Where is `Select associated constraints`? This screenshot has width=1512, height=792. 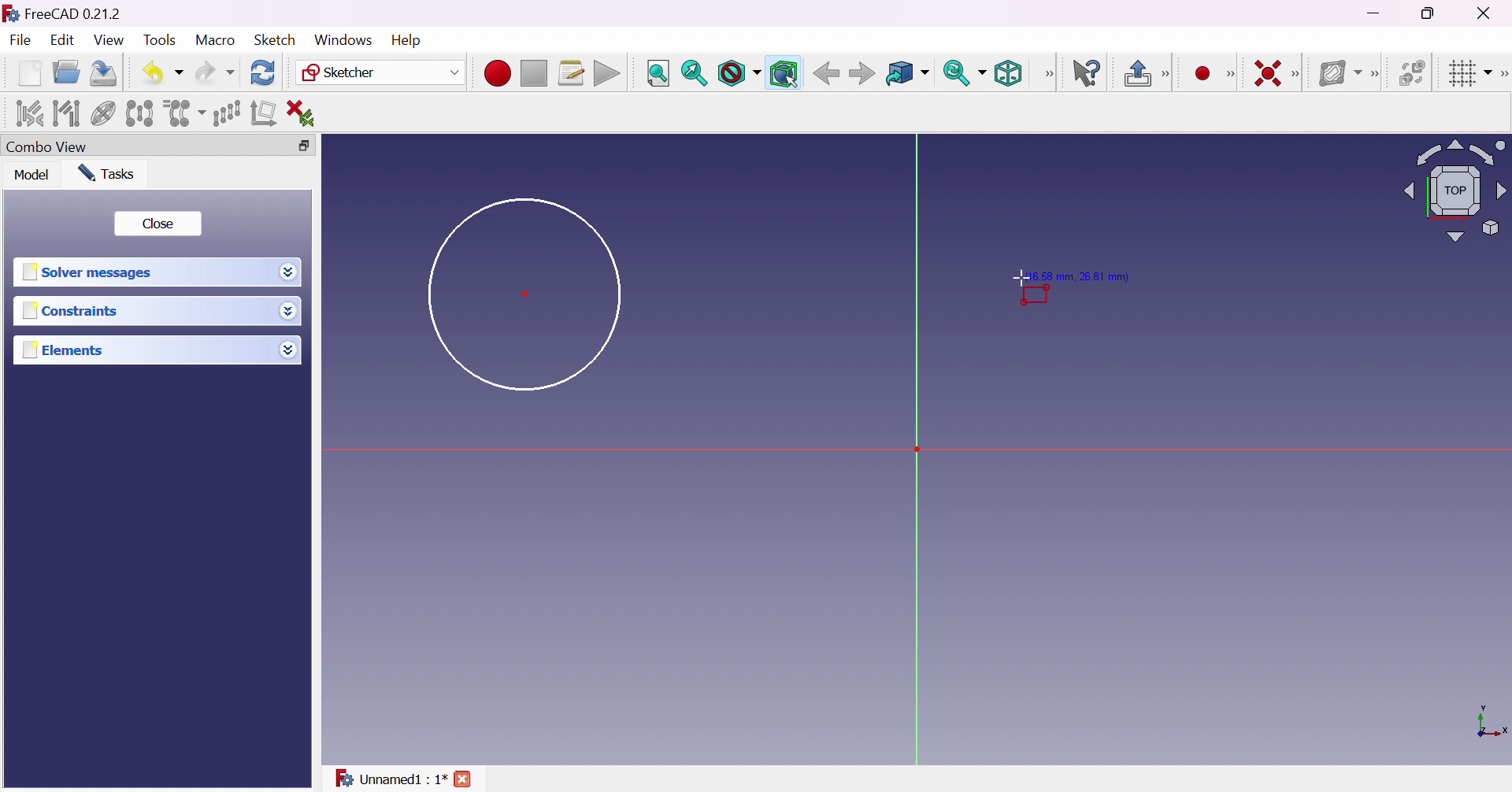
Select associated constraints is located at coordinates (27, 113).